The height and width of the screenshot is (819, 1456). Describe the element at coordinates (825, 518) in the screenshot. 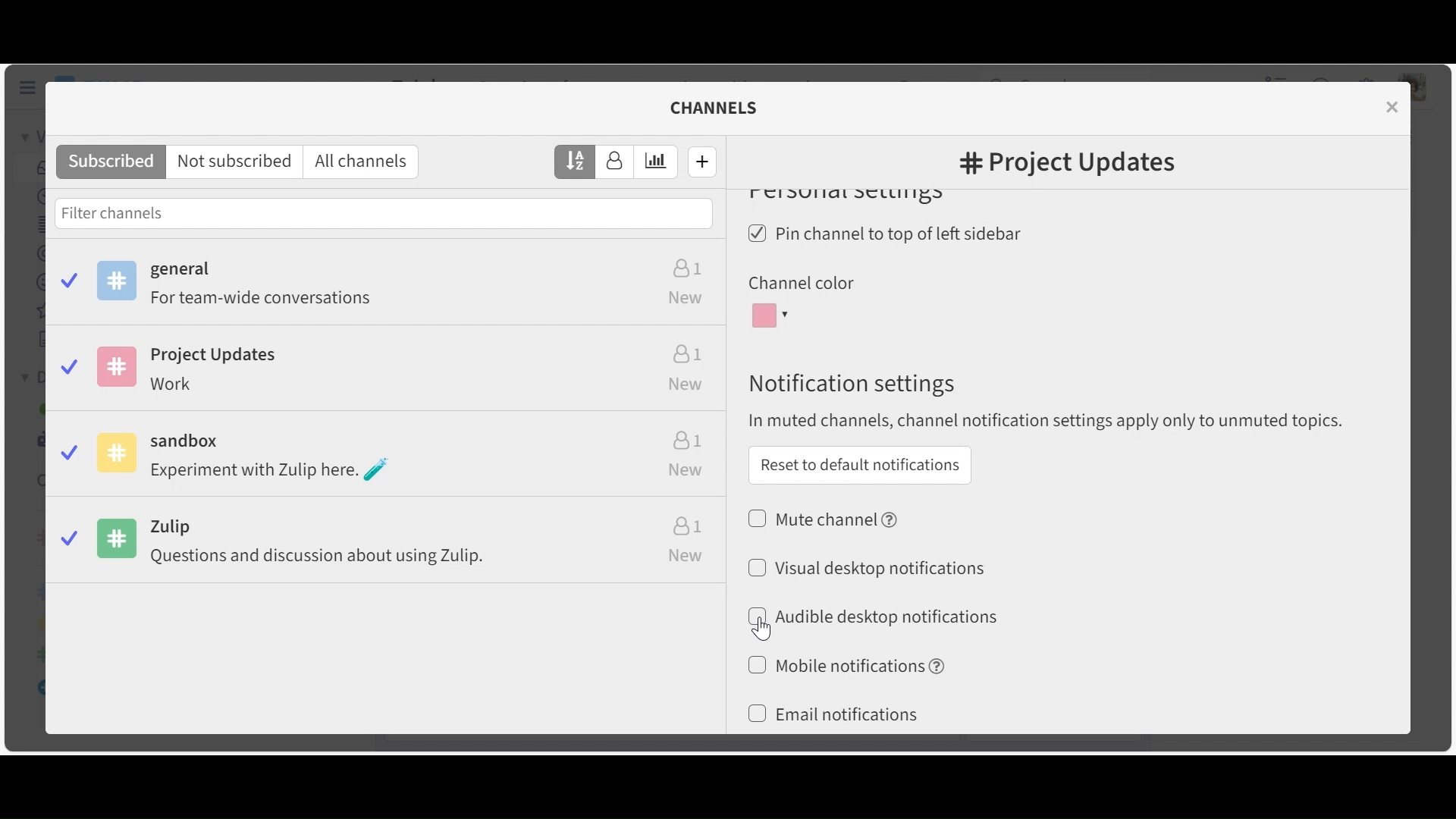

I see `(un)select Mute channel ` at that location.